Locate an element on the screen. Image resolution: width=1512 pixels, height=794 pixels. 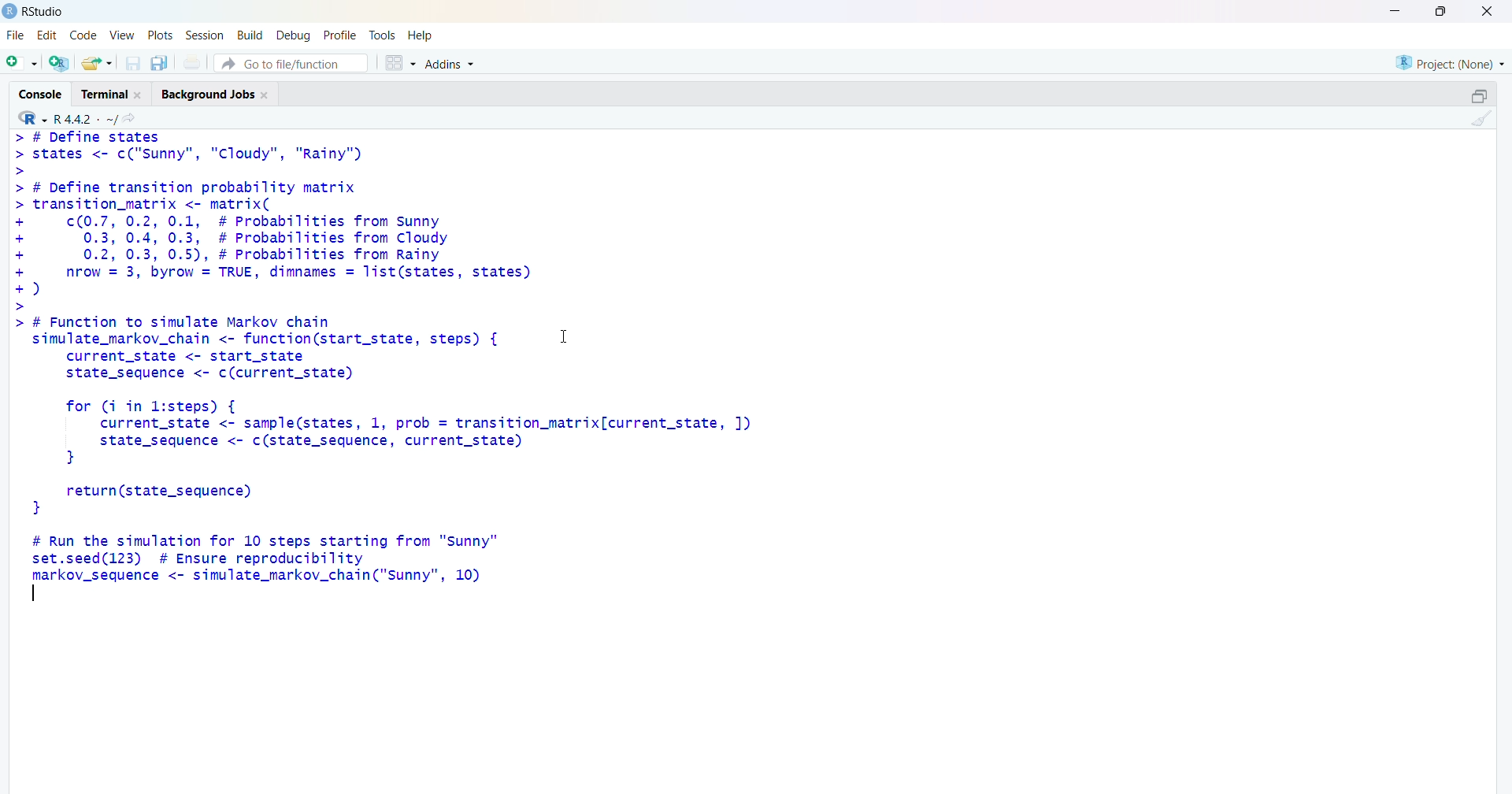
new script is located at coordinates (21, 62).